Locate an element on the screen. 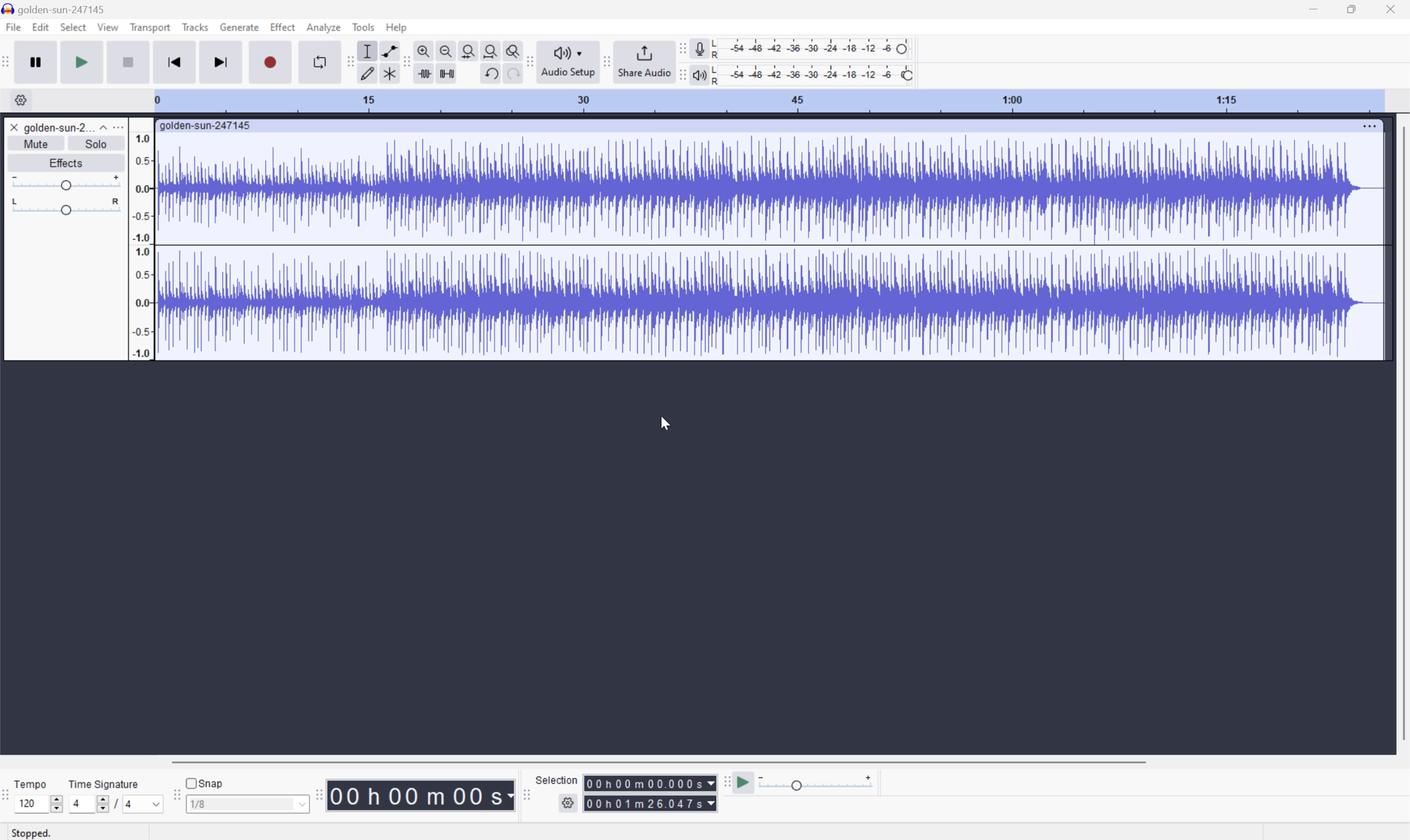  Cursor is located at coordinates (667, 423).